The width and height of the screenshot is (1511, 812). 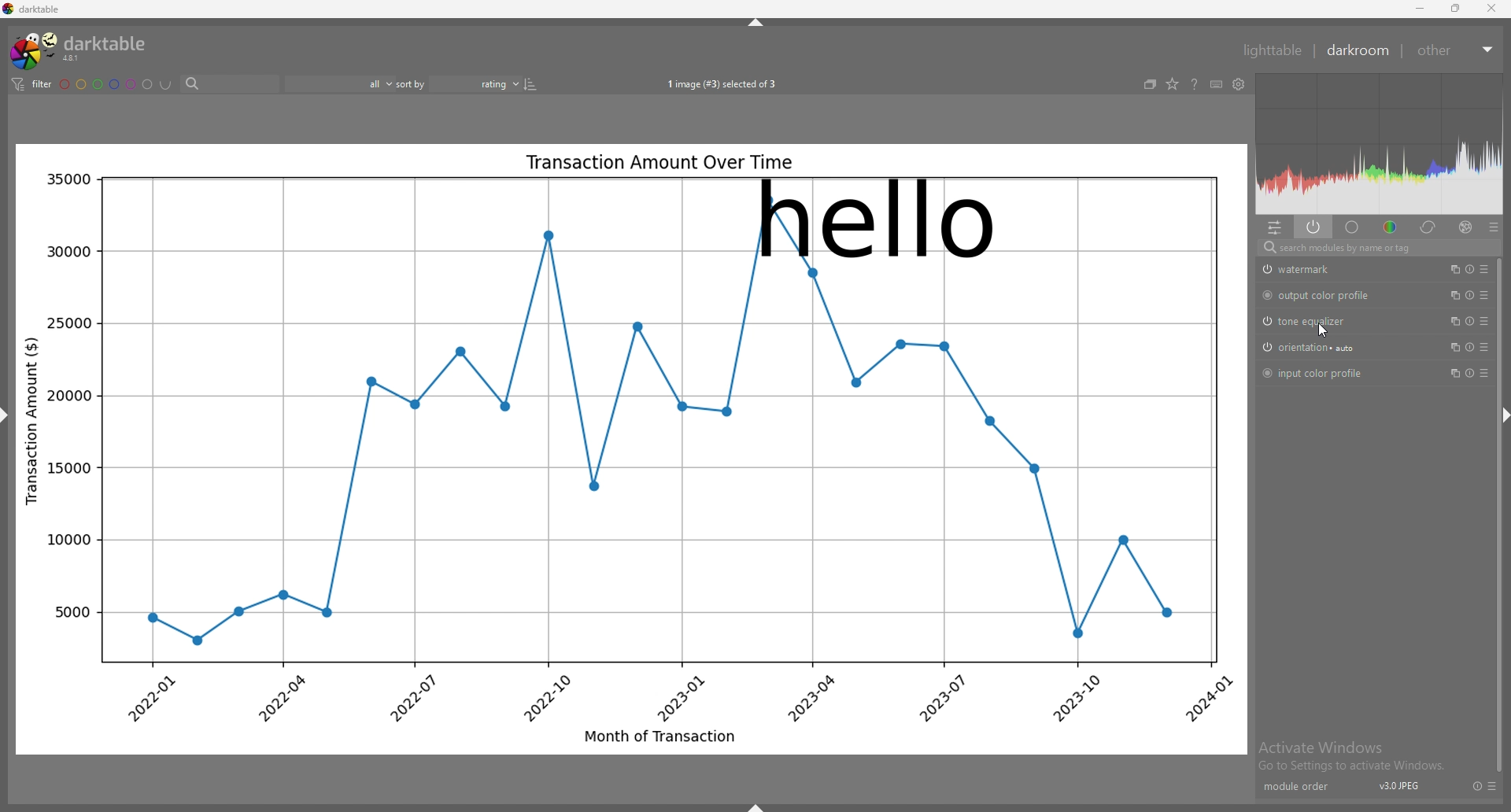 What do you see at coordinates (1275, 228) in the screenshot?
I see `quick access panel` at bounding box center [1275, 228].